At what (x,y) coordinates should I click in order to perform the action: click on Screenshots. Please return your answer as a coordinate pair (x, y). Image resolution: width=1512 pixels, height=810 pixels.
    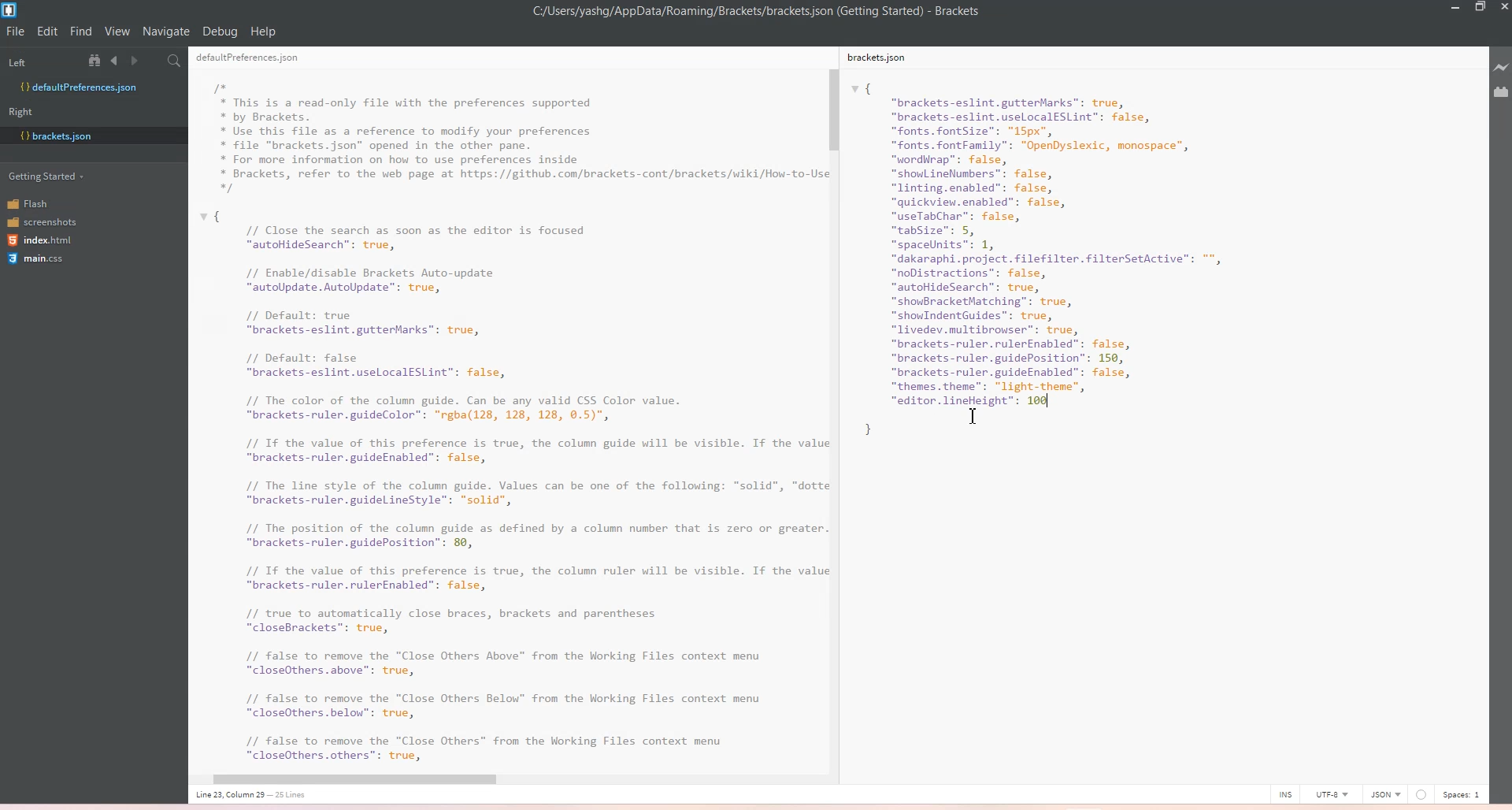
    Looking at the image, I should click on (42, 221).